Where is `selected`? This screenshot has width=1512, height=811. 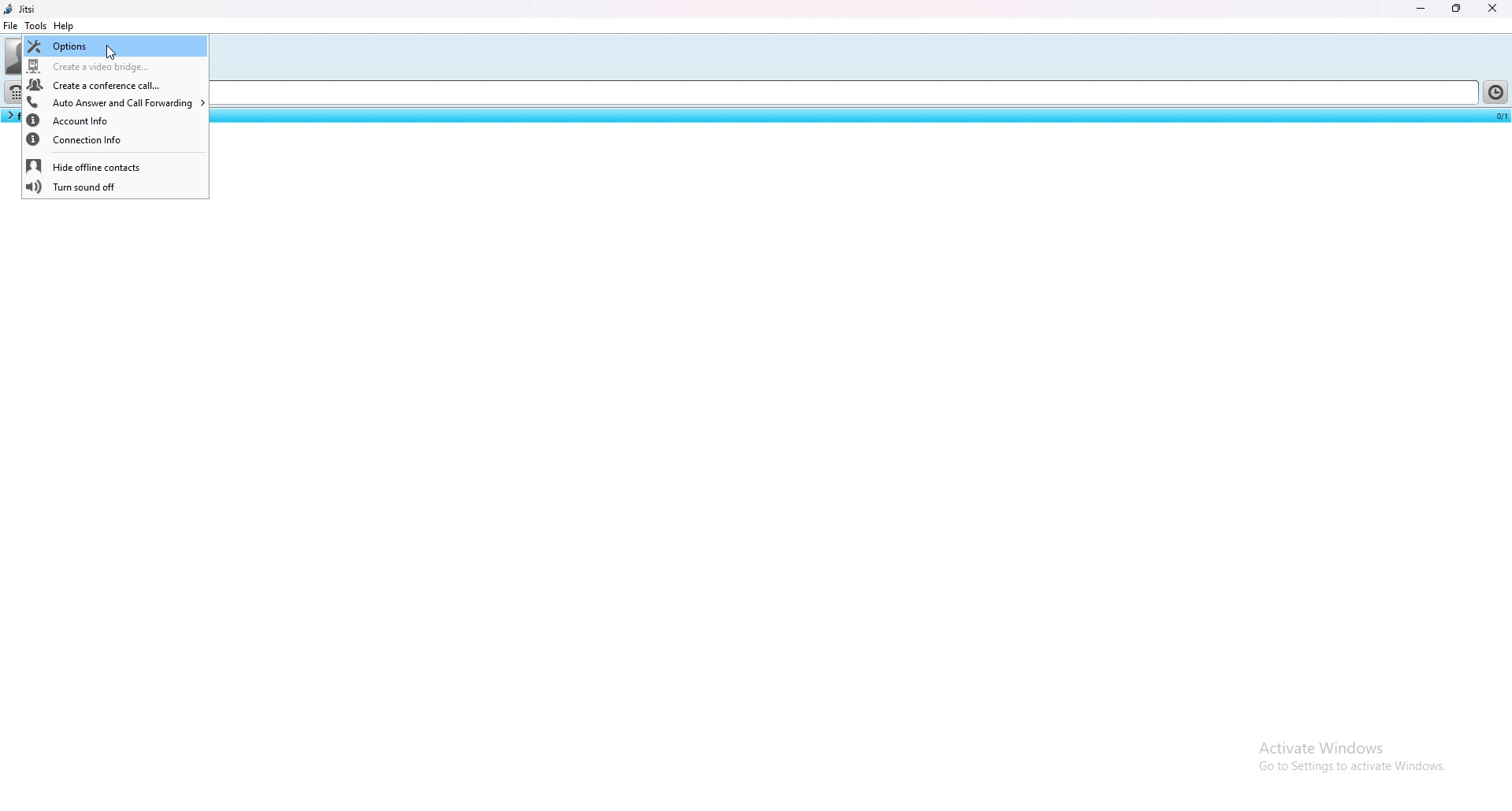 selected is located at coordinates (1499, 115).